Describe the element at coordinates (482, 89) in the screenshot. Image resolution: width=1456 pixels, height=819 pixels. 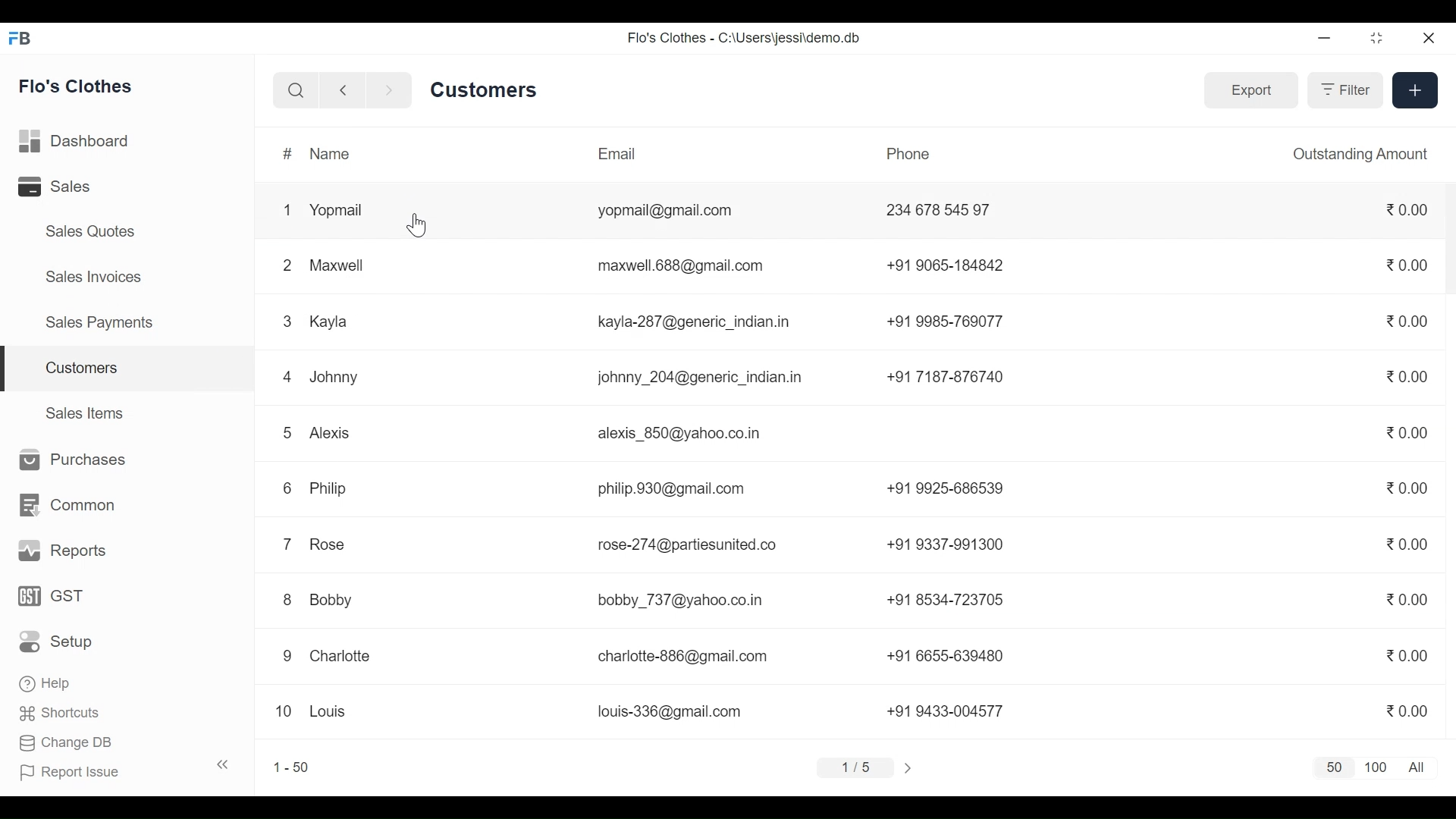
I see `Customers` at that location.